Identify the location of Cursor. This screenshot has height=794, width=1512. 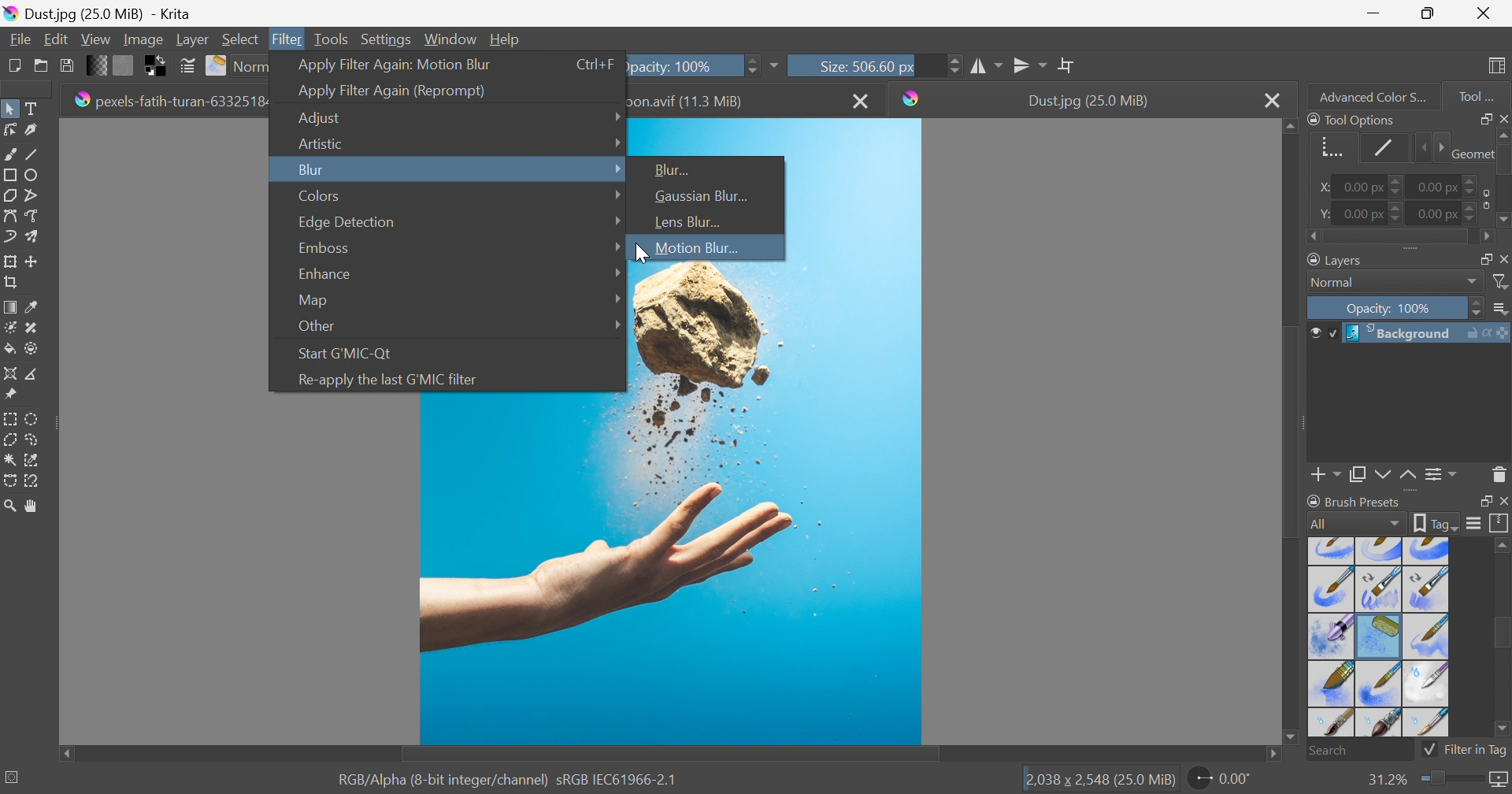
(638, 251).